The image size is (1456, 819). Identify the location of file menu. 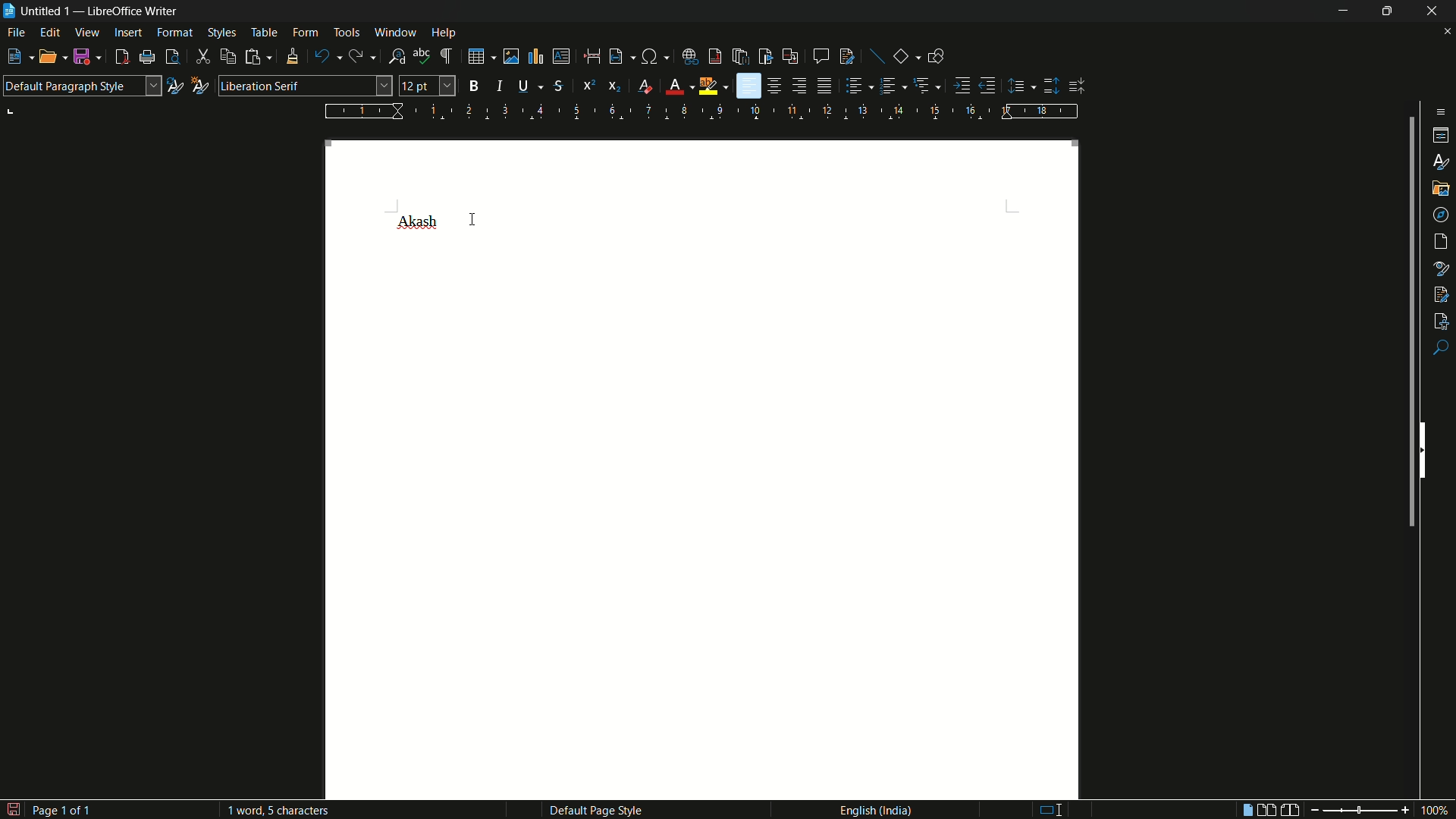
(17, 34).